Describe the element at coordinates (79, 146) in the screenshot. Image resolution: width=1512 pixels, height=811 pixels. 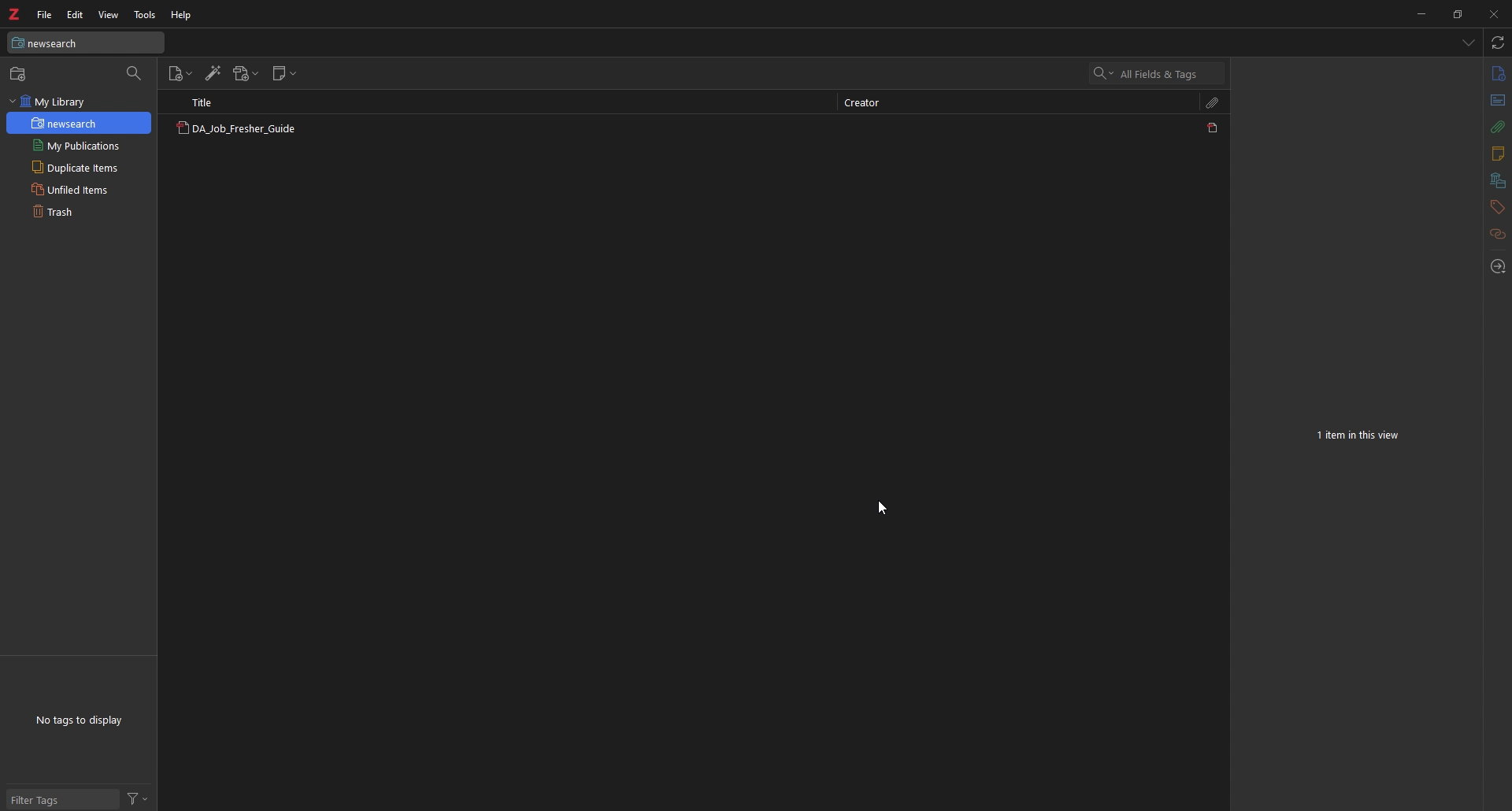
I see `my publications` at that location.